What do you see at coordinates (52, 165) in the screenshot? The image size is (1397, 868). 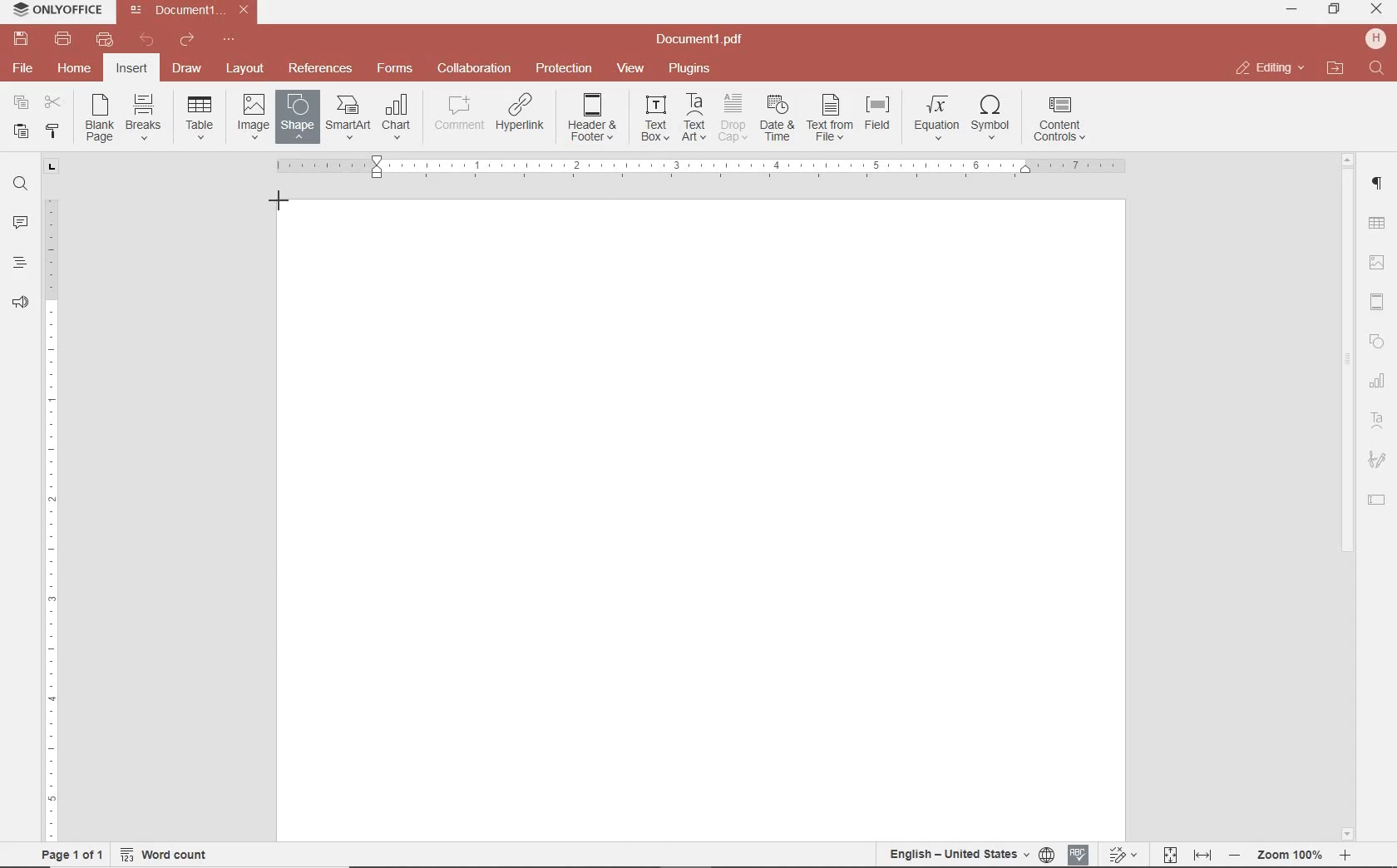 I see `tab stop` at bounding box center [52, 165].